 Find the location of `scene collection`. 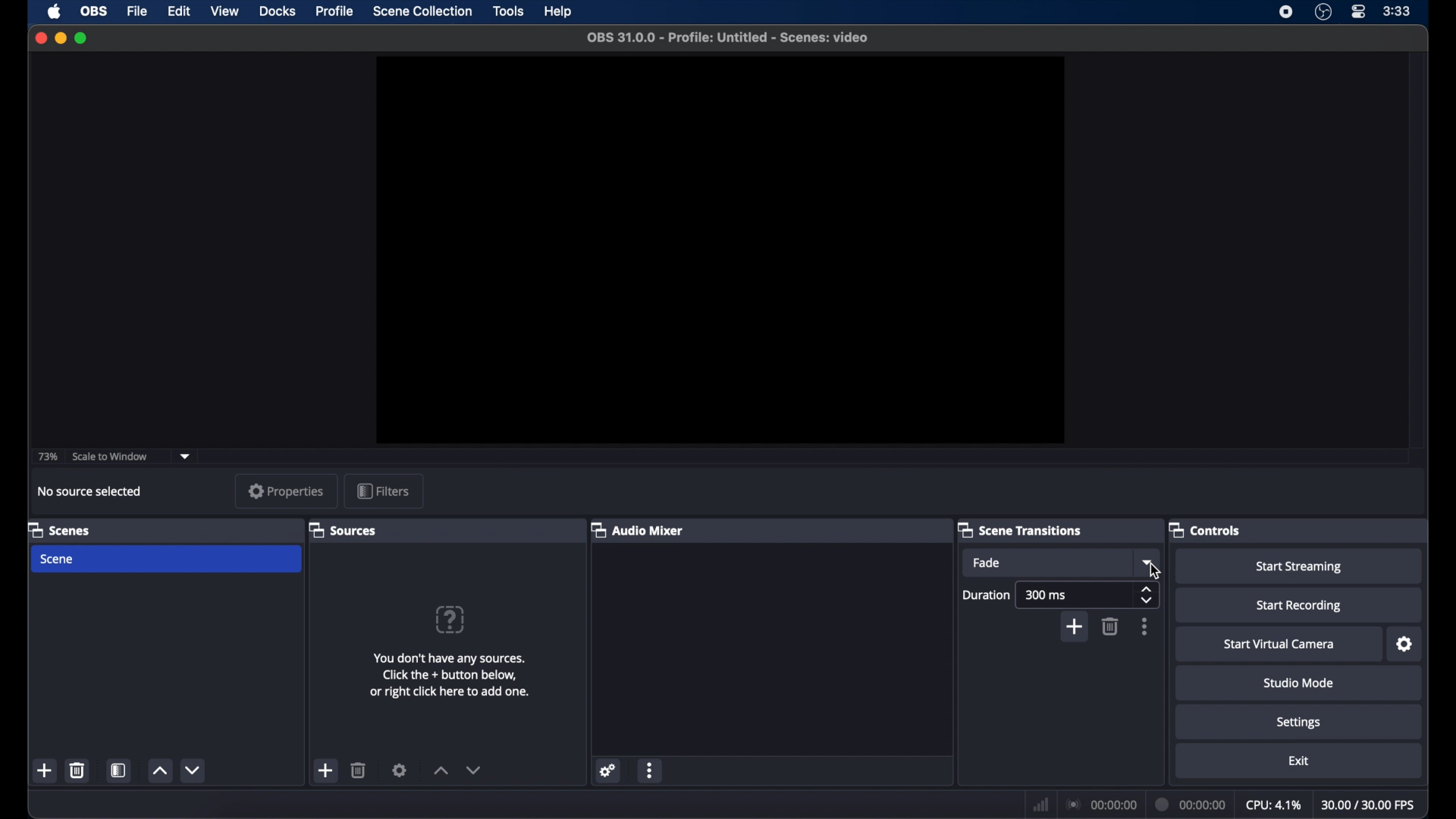

scene collection is located at coordinates (422, 11).